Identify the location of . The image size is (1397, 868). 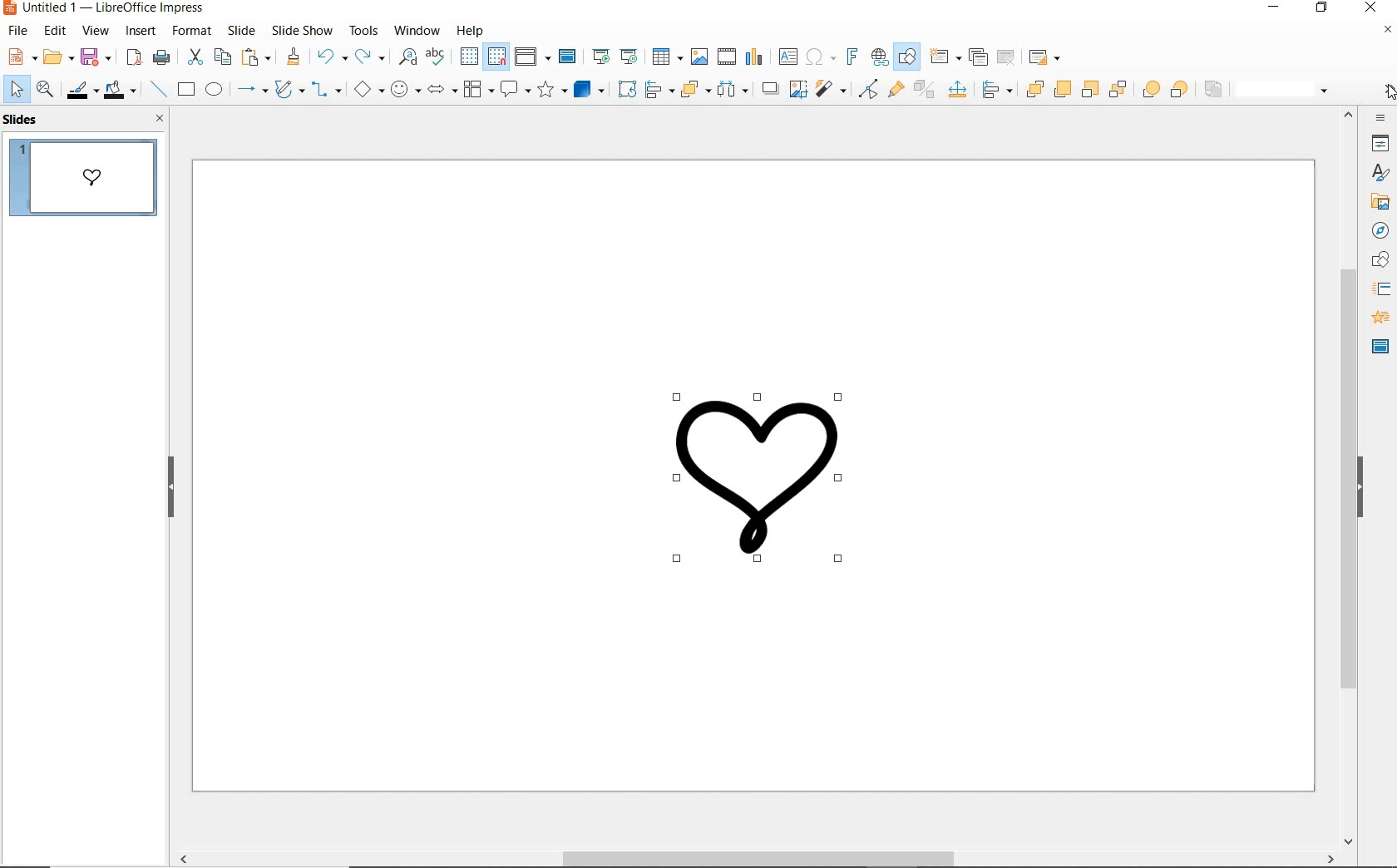
(996, 90).